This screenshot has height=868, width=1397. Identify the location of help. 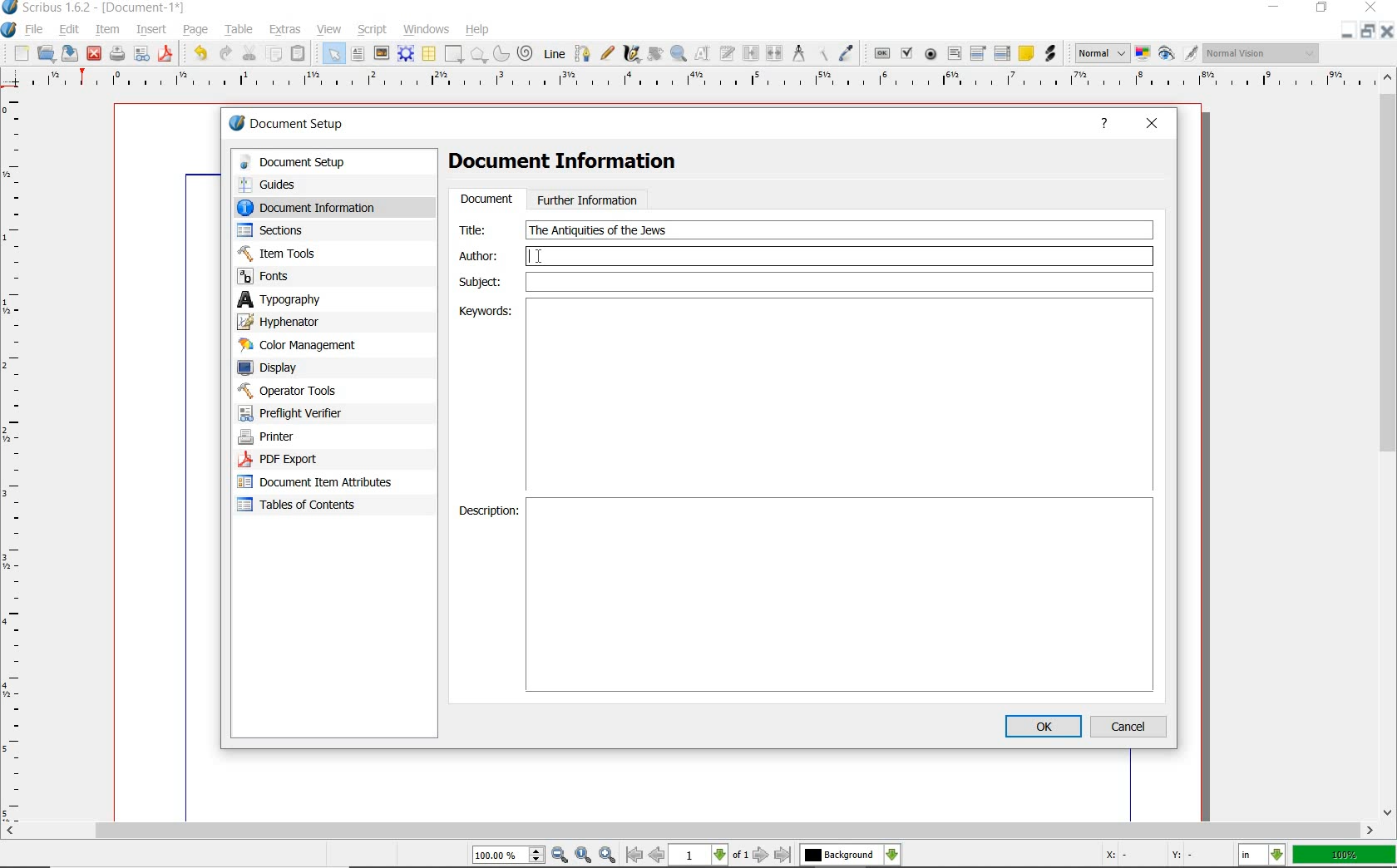
(1104, 126).